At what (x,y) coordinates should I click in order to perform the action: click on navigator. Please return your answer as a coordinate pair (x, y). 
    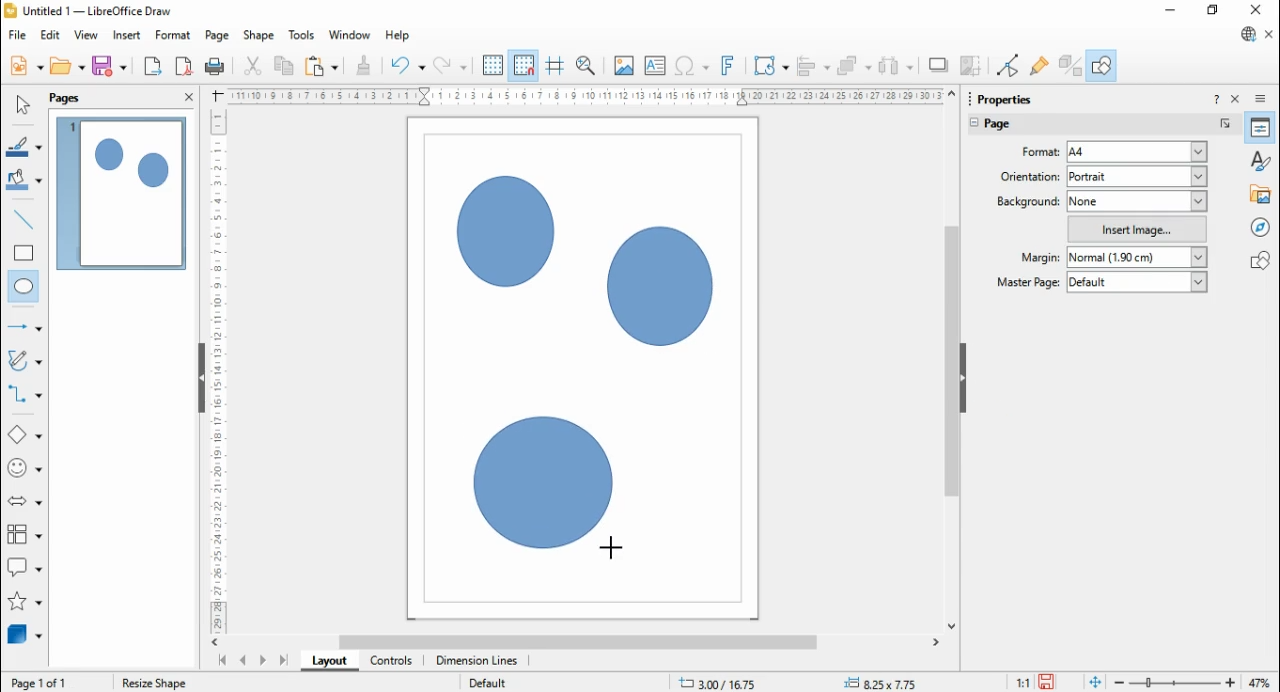
    Looking at the image, I should click on (1264, 226).